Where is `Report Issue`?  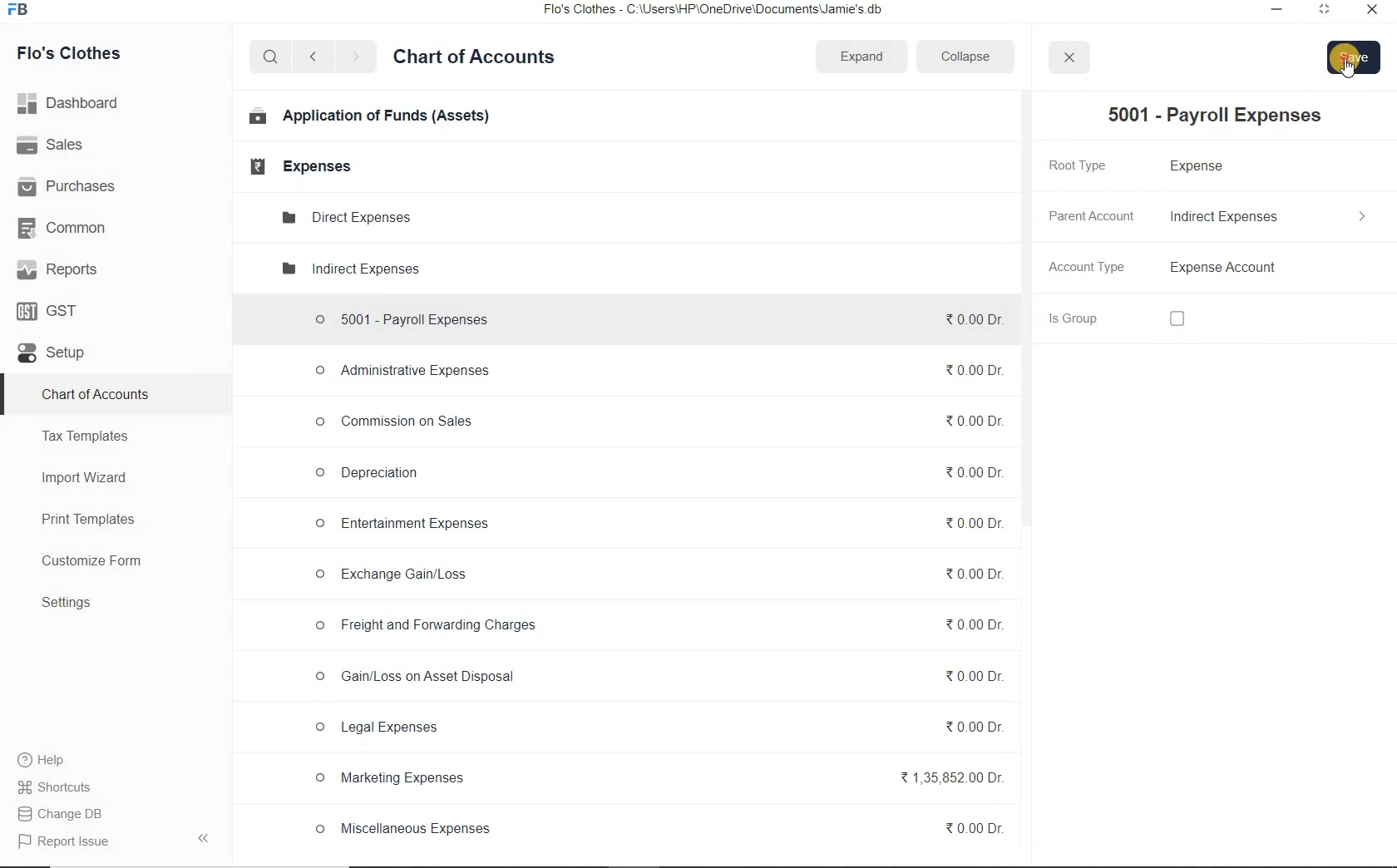
Report Issue is located at coordinates (60, 842).